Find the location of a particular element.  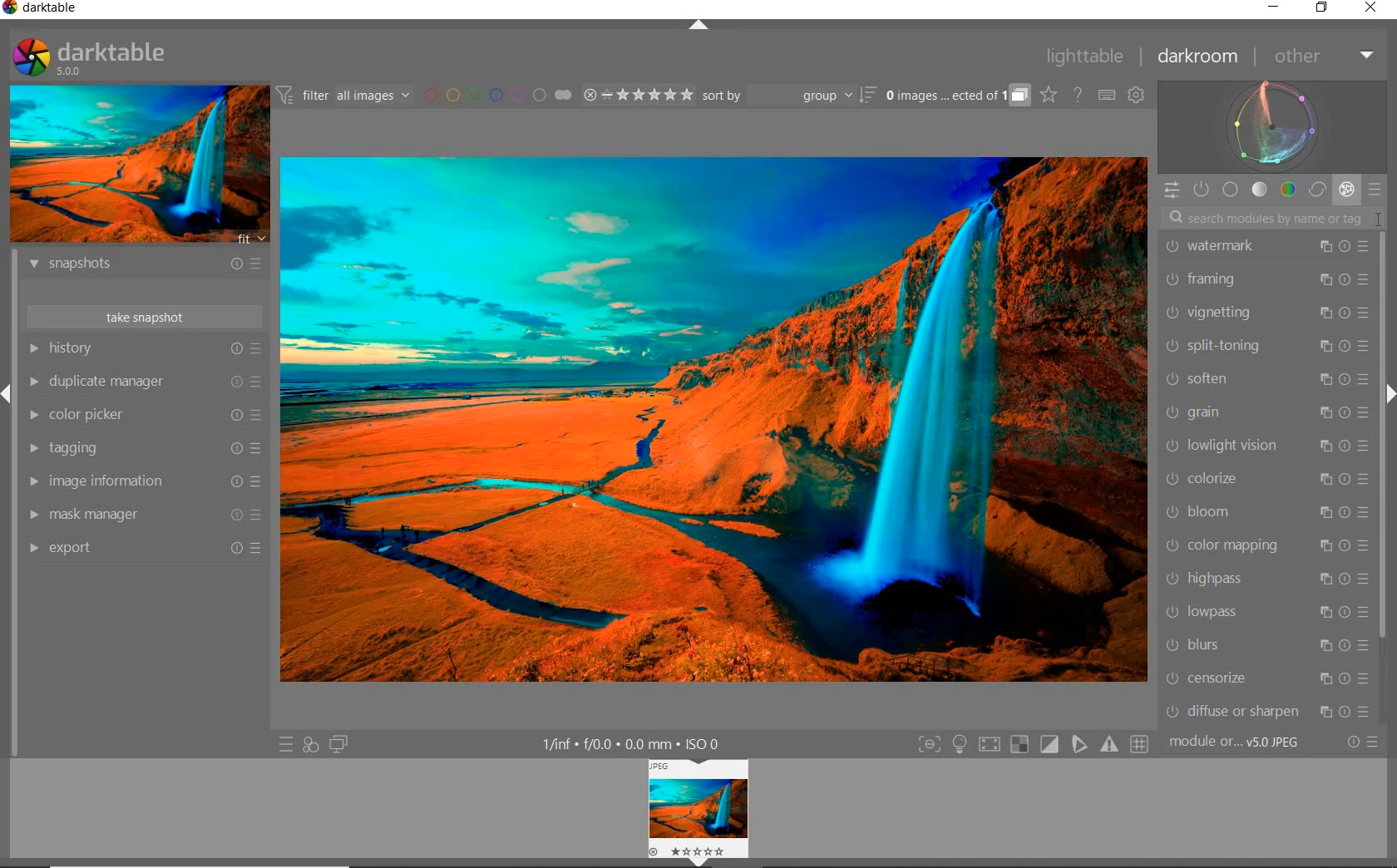

SYSTEM LOGO is located at coordinates (90, 57).